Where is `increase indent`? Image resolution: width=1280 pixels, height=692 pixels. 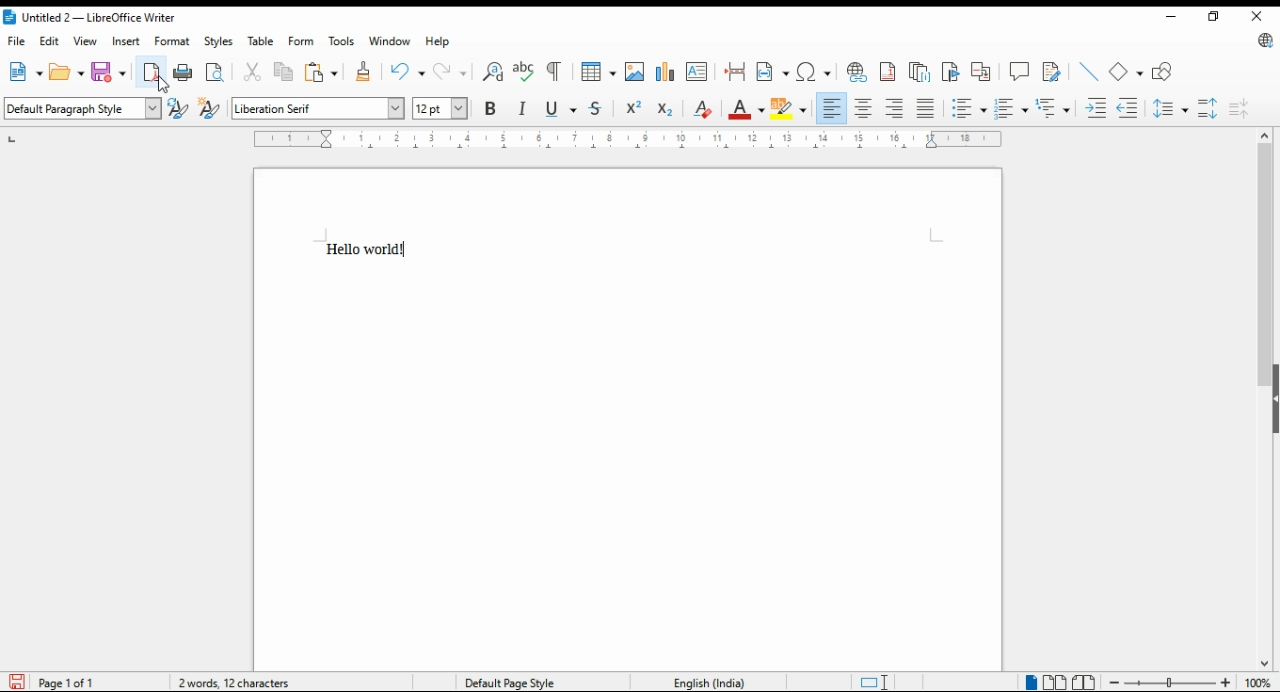
increase indent is located at coordinates (1093, 110).